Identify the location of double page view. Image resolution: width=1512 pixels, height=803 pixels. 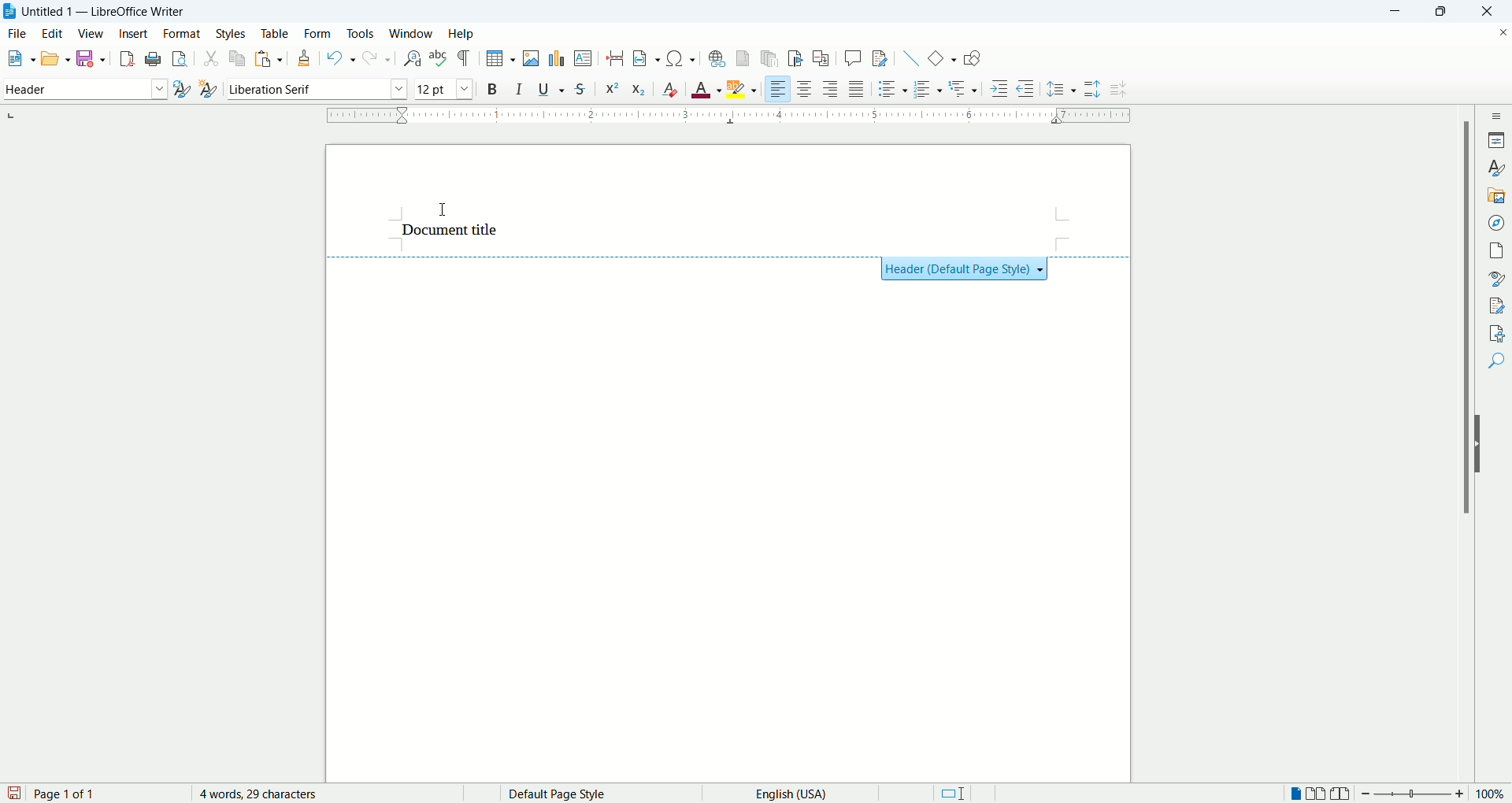
(1314, 794).